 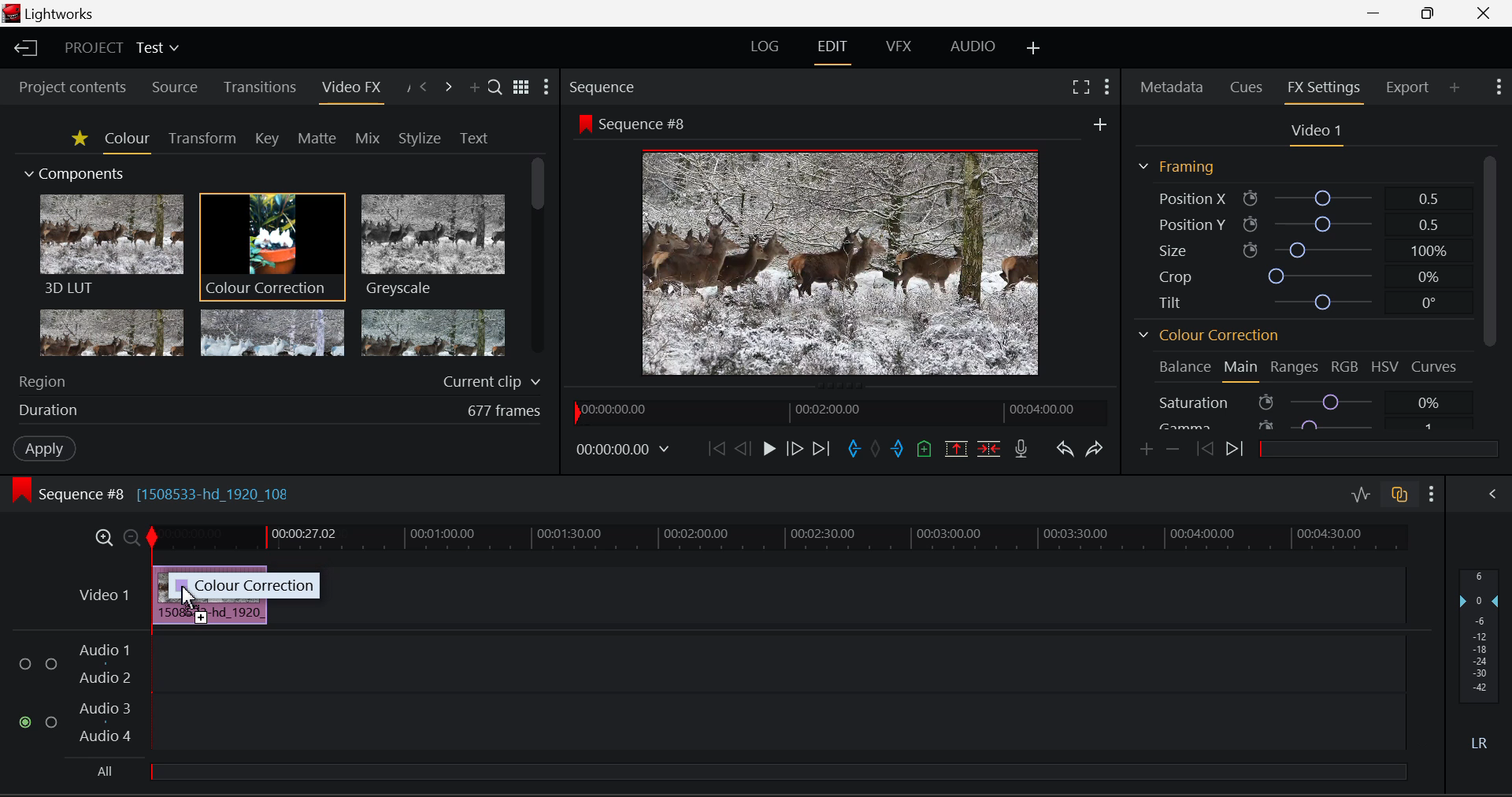 I want to click on Project Title, so click(x=120, y=48).